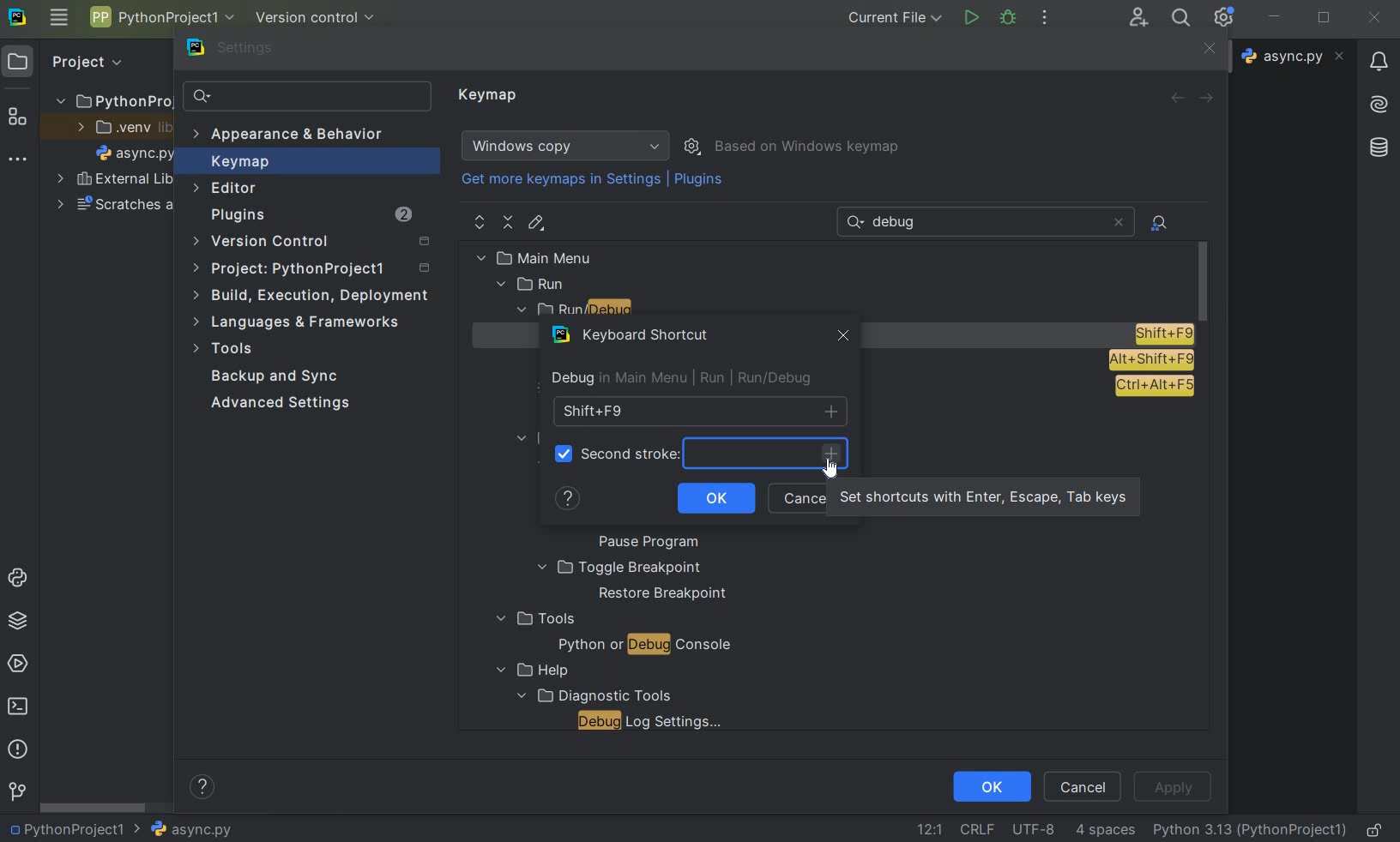 This screenshot has height=842, width=1400. I want to click on editor, so click(226, 188).